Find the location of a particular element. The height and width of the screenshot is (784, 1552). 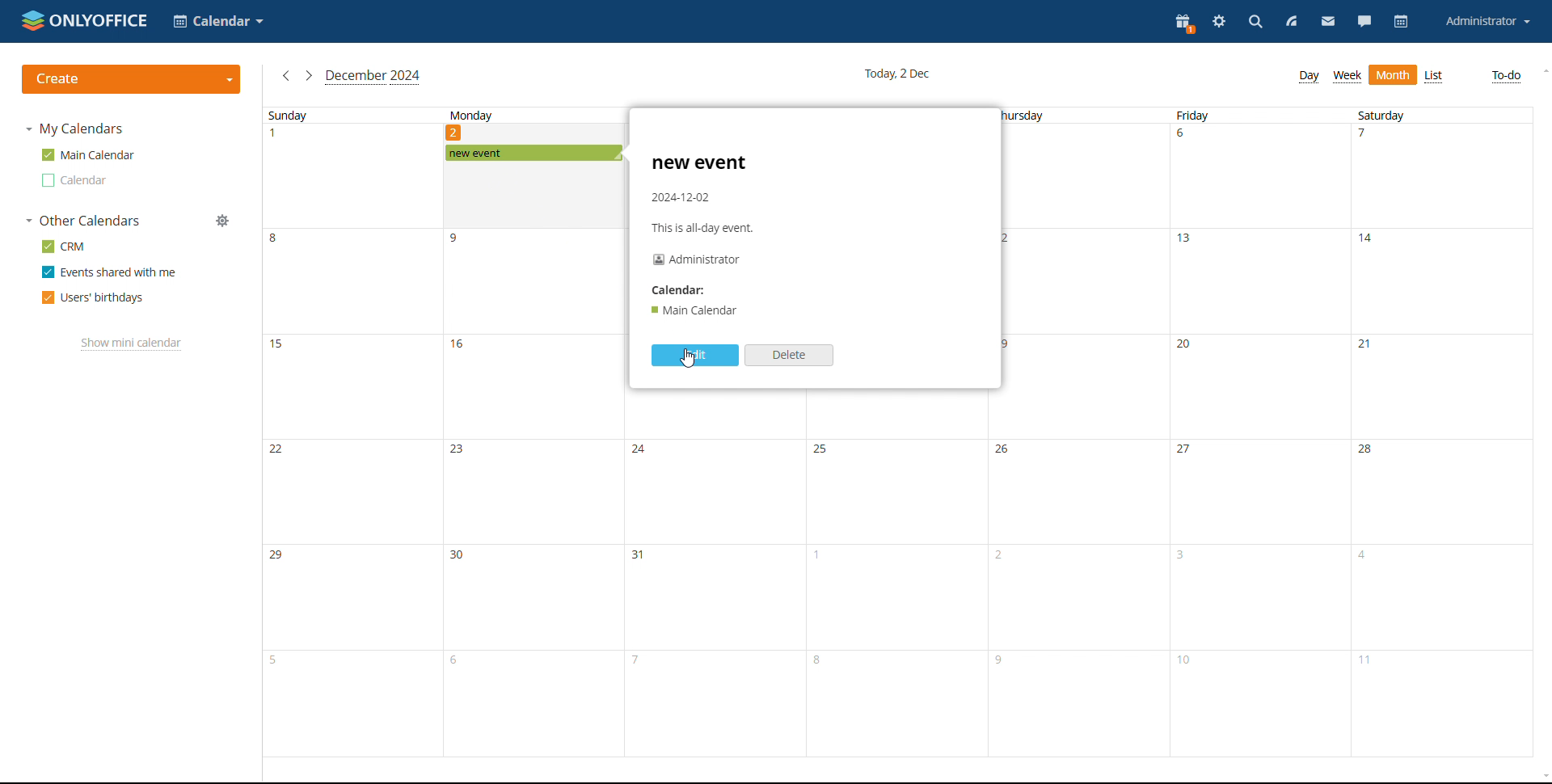

main calendar is located at coordinates (88, 155).